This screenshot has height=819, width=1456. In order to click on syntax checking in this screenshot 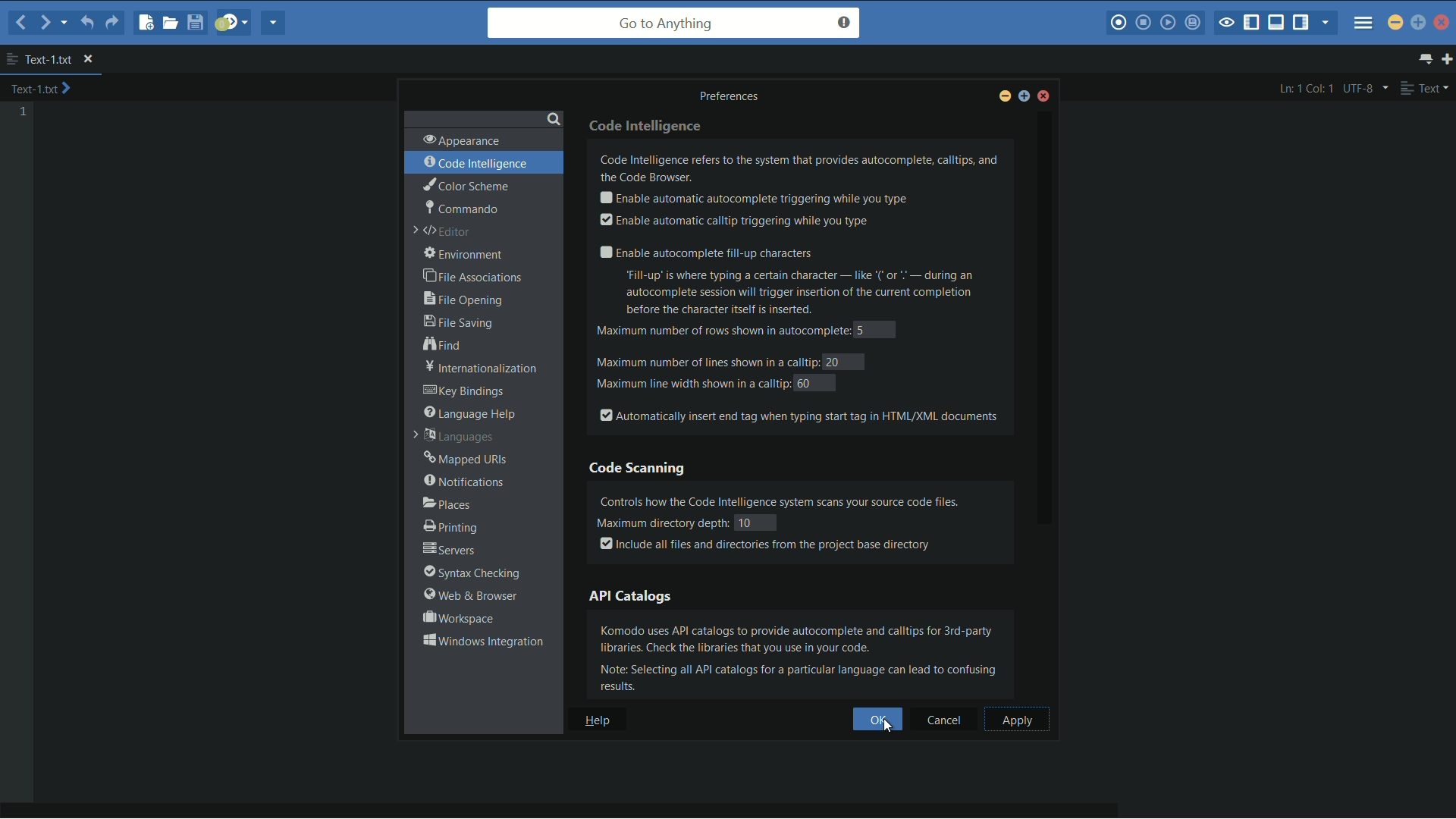, I will do `click(470, 573)`.